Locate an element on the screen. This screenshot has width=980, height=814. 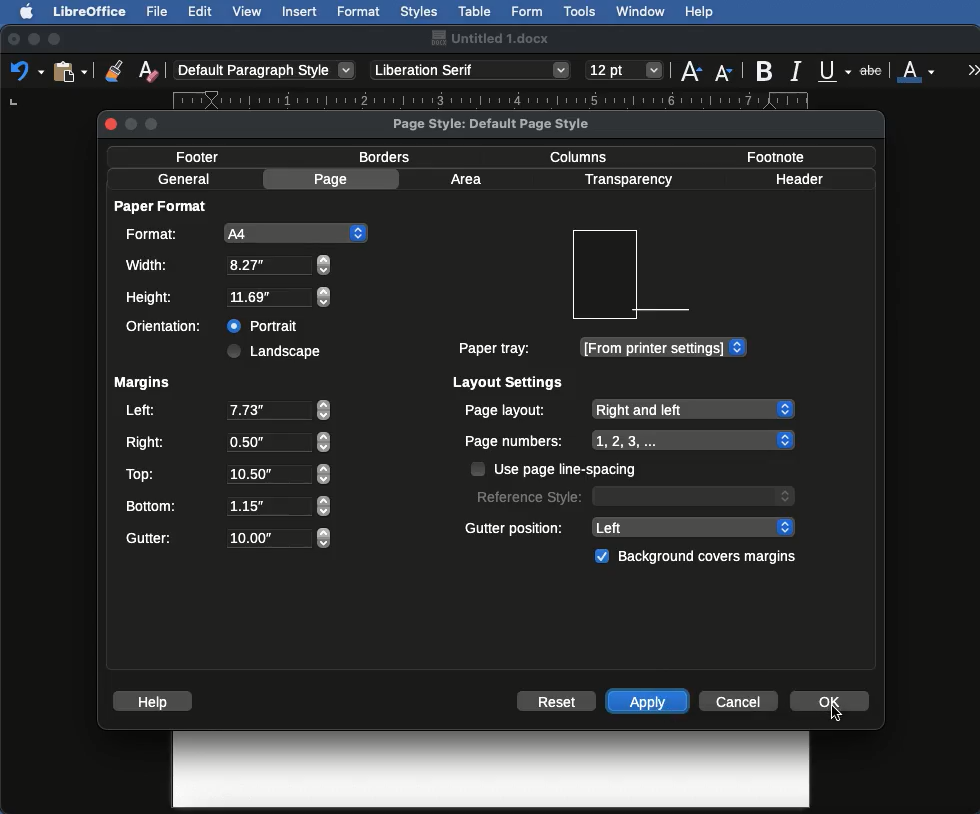
Layout settings is located at coordinates (509, 382).